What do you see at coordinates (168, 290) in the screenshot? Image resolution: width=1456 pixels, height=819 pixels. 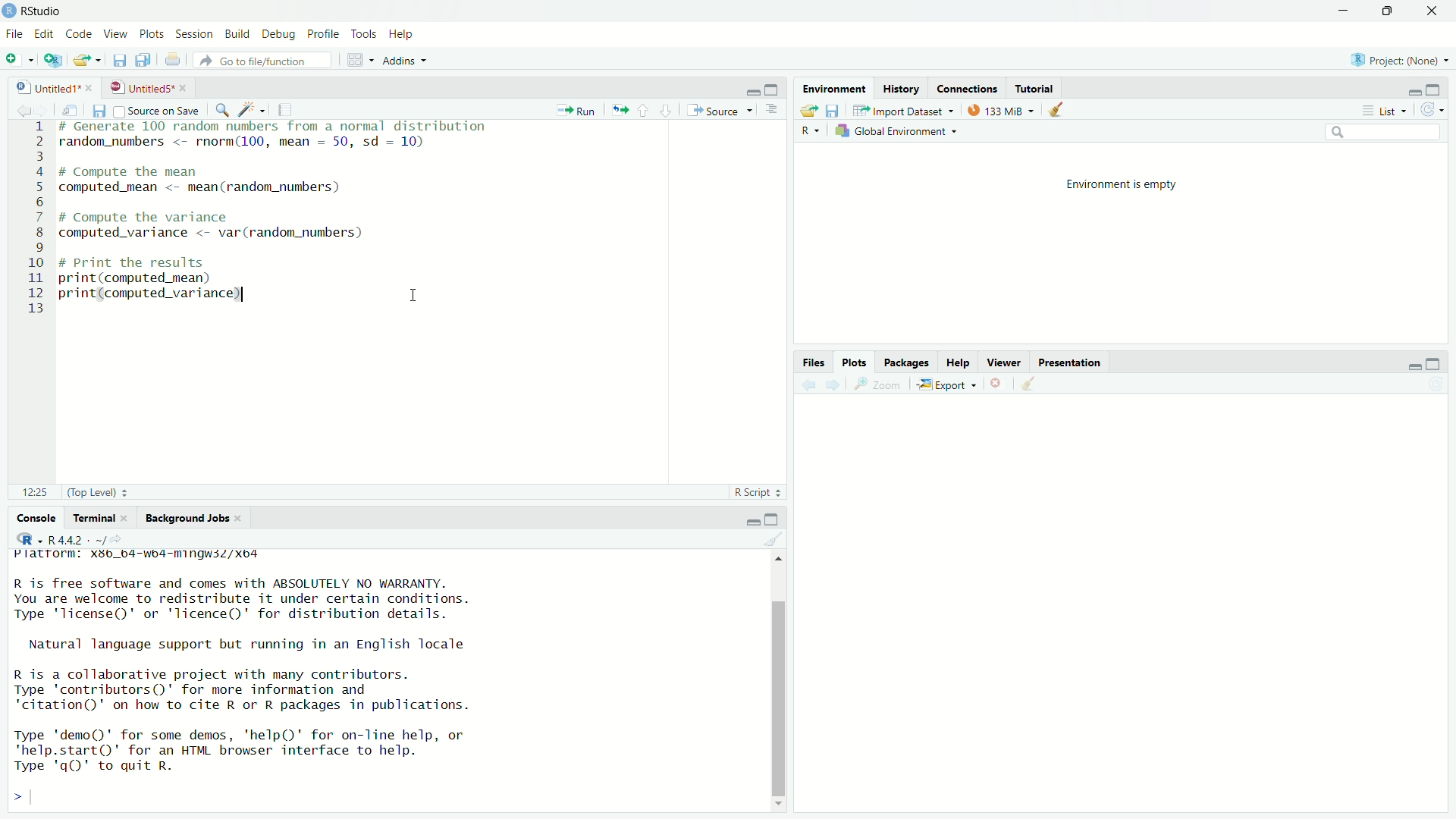 I see `print(computed_mean)
print(computed_variance)` at bounding box center [168, 290].